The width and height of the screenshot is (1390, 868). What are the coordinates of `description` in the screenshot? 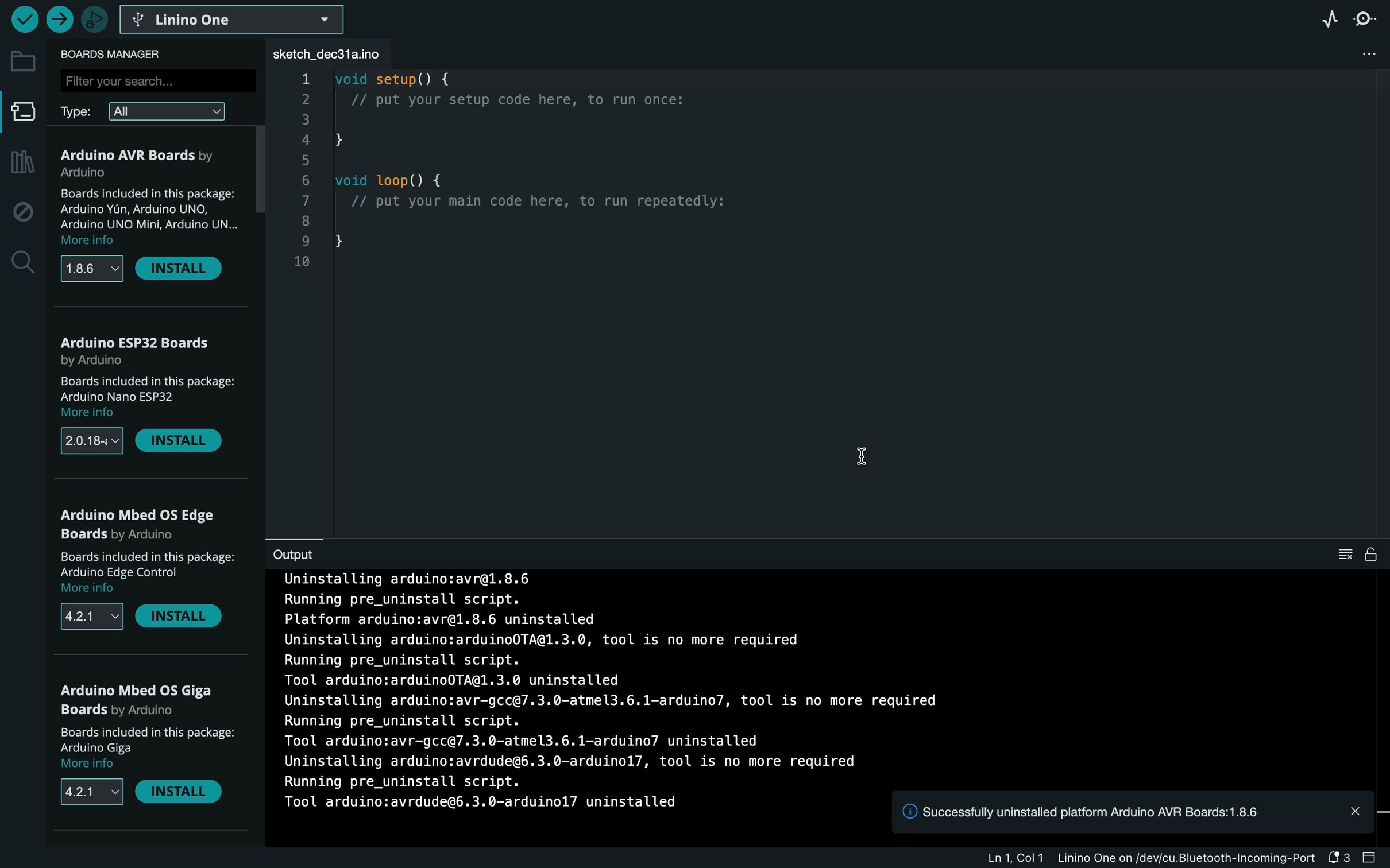 It's located at (146, 388).